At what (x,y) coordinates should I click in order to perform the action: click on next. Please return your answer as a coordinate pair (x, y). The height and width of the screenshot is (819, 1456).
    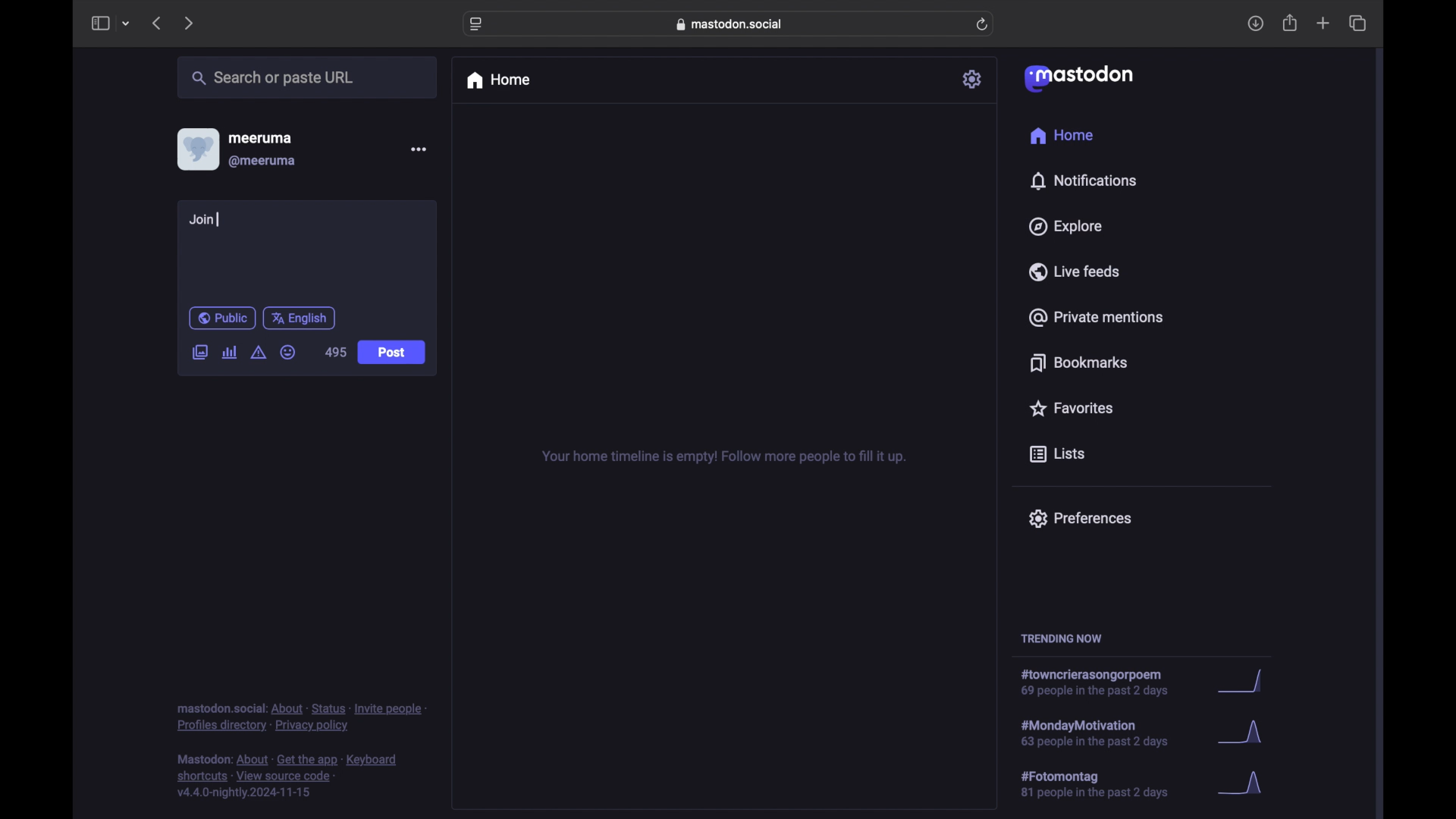
    Looking at the image, I should click on (190, 23).